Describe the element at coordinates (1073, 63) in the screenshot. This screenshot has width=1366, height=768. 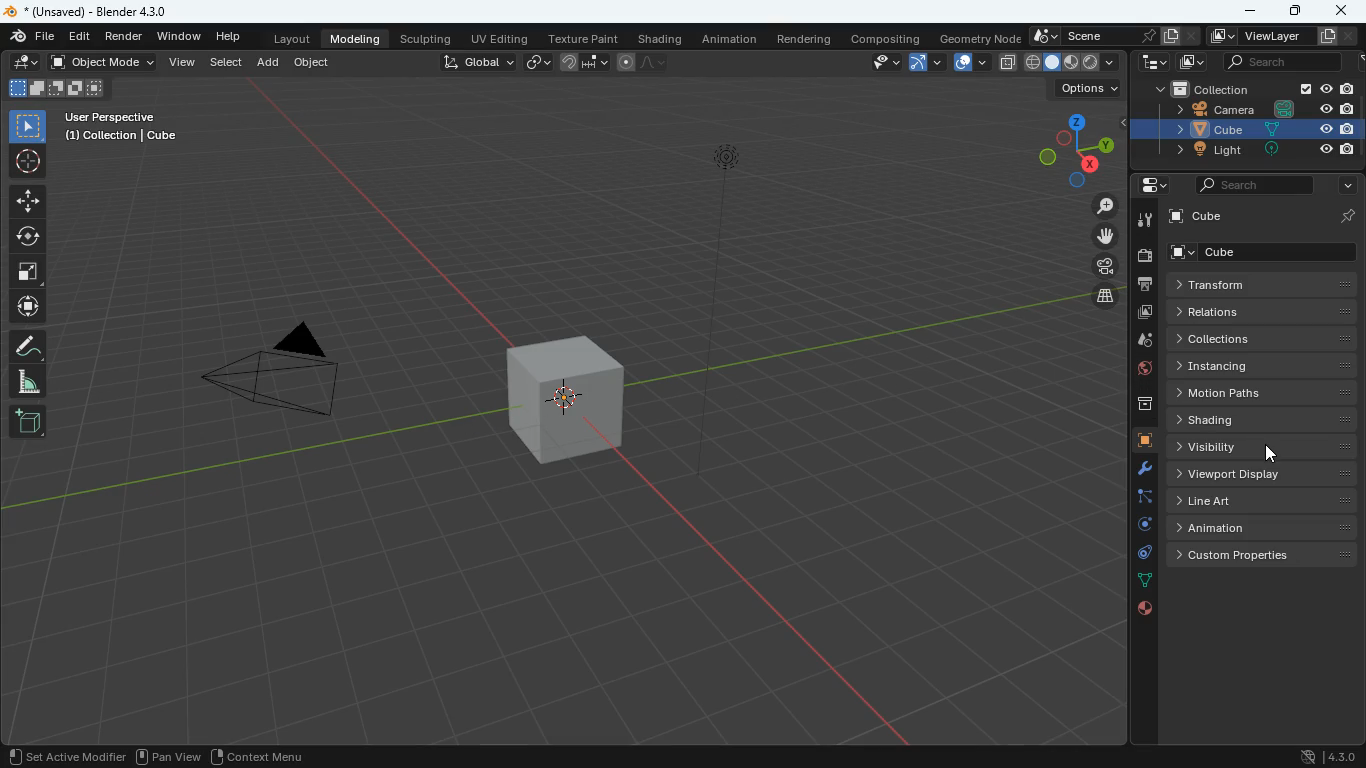
I see `placement` at that location.